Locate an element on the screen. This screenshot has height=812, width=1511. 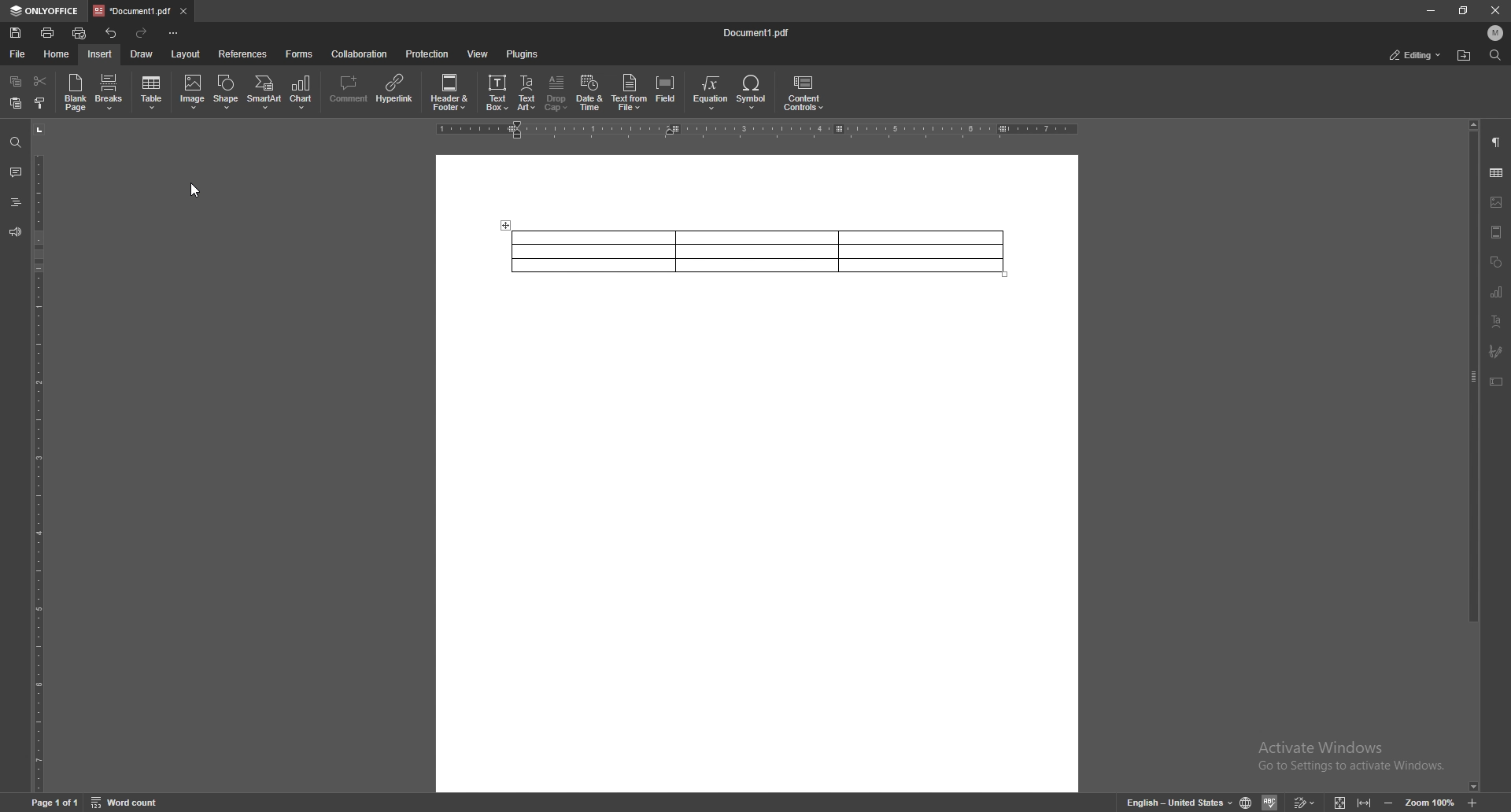
save is located at coordinates (17, 33).